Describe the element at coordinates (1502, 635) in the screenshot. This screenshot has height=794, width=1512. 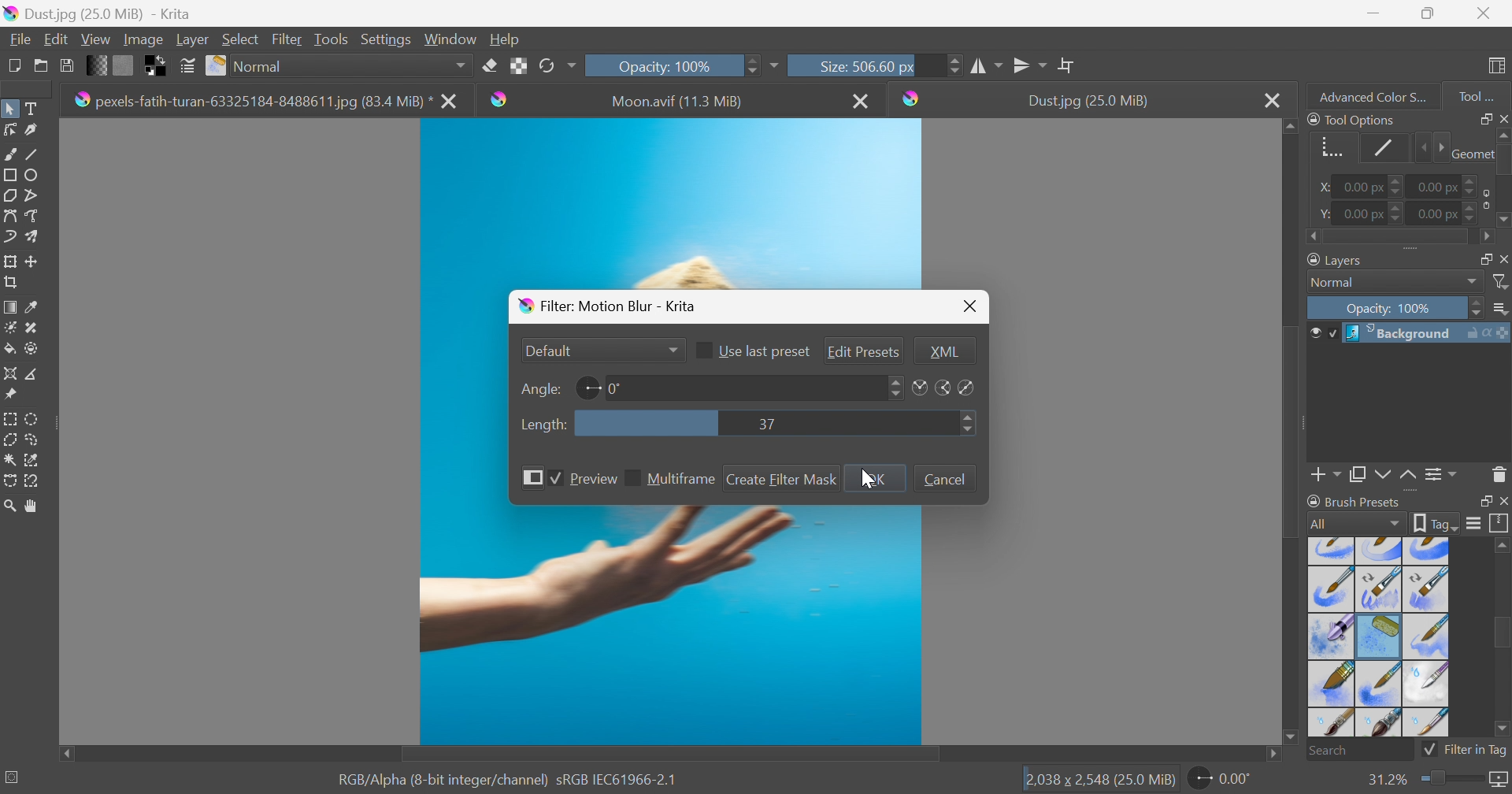
I see `Scroll Bar` at that location.